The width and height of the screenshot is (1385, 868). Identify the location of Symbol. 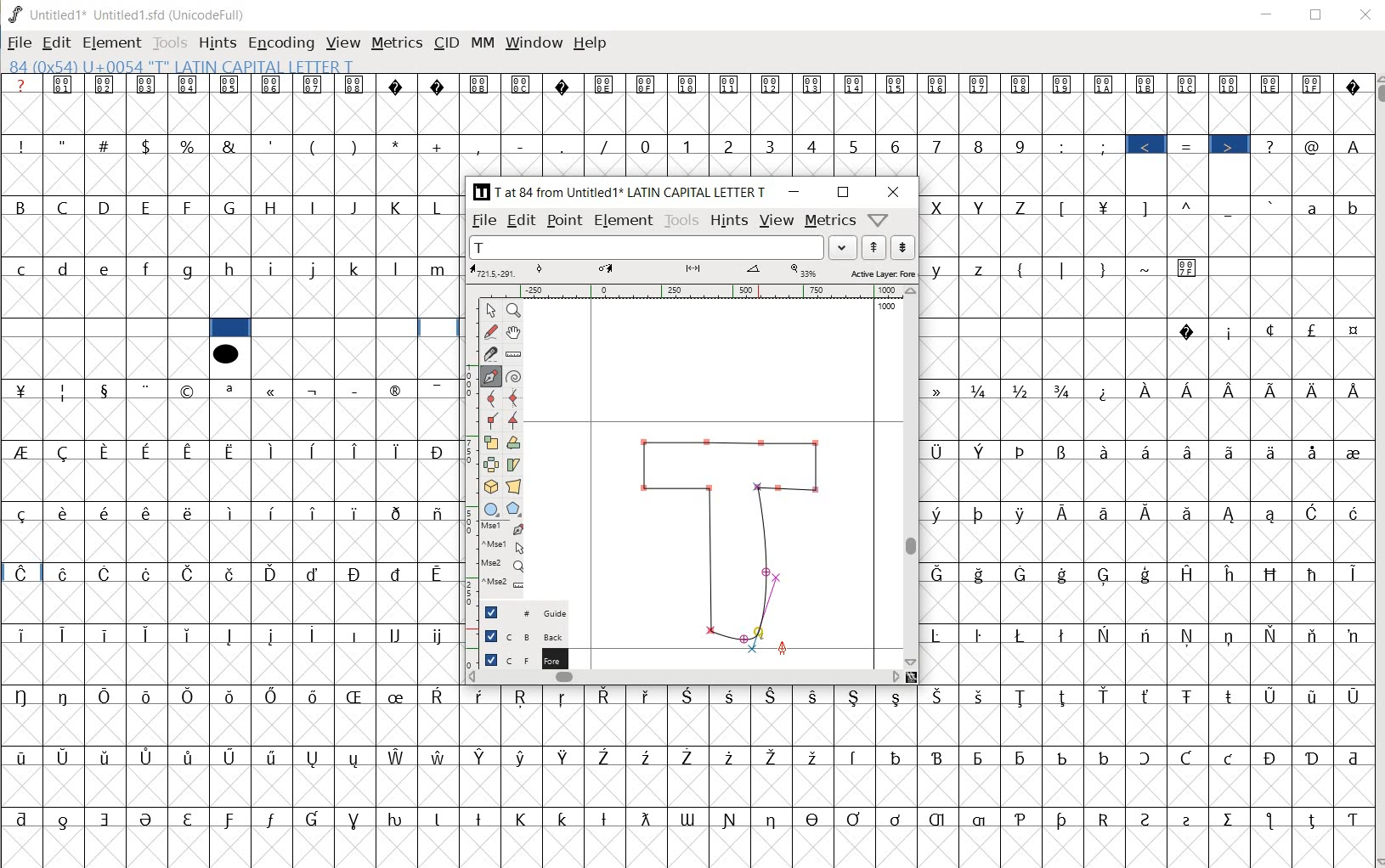
(1190, 392).